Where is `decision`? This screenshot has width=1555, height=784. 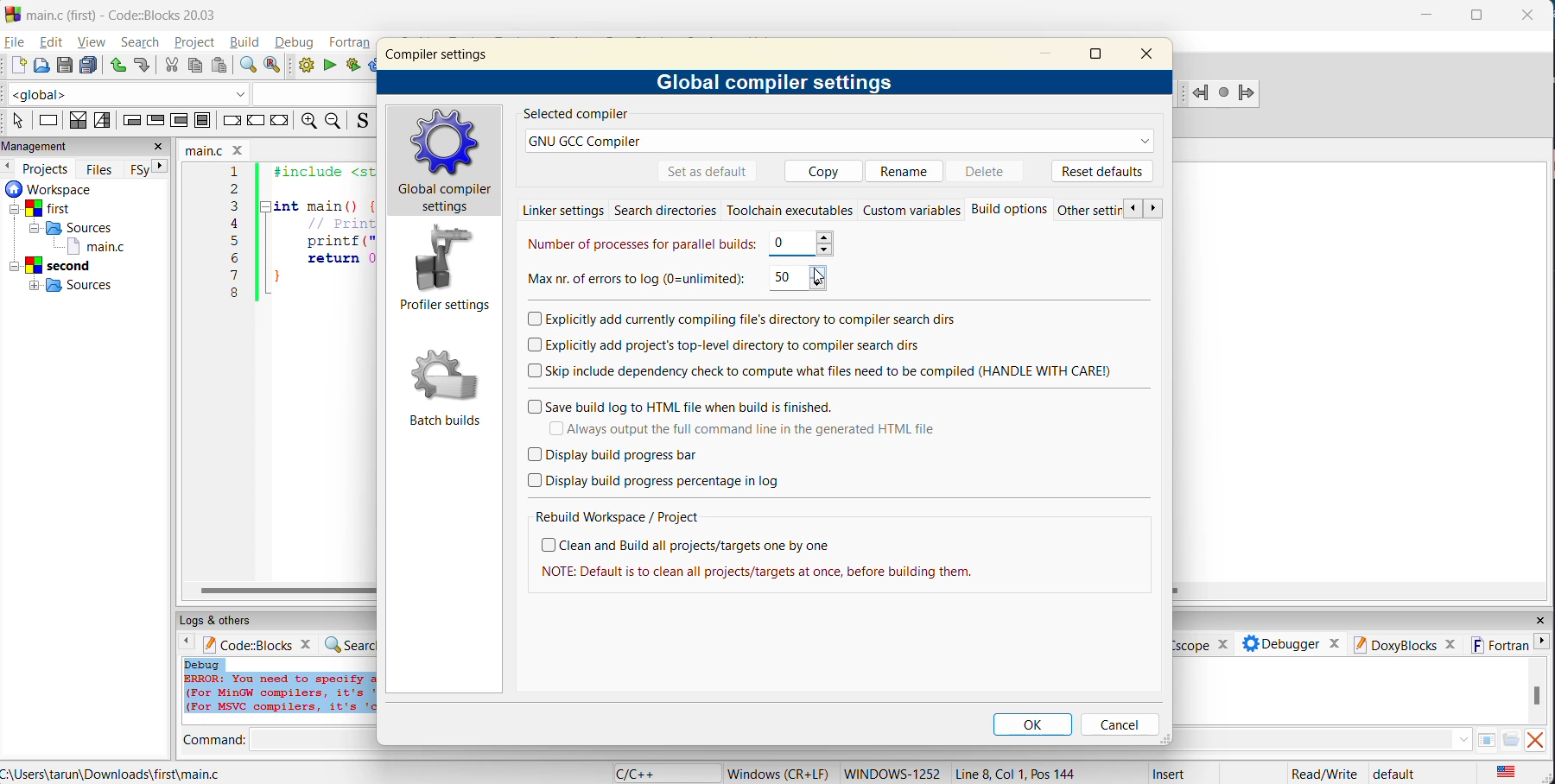
decision is located at coordinates (76, 122).